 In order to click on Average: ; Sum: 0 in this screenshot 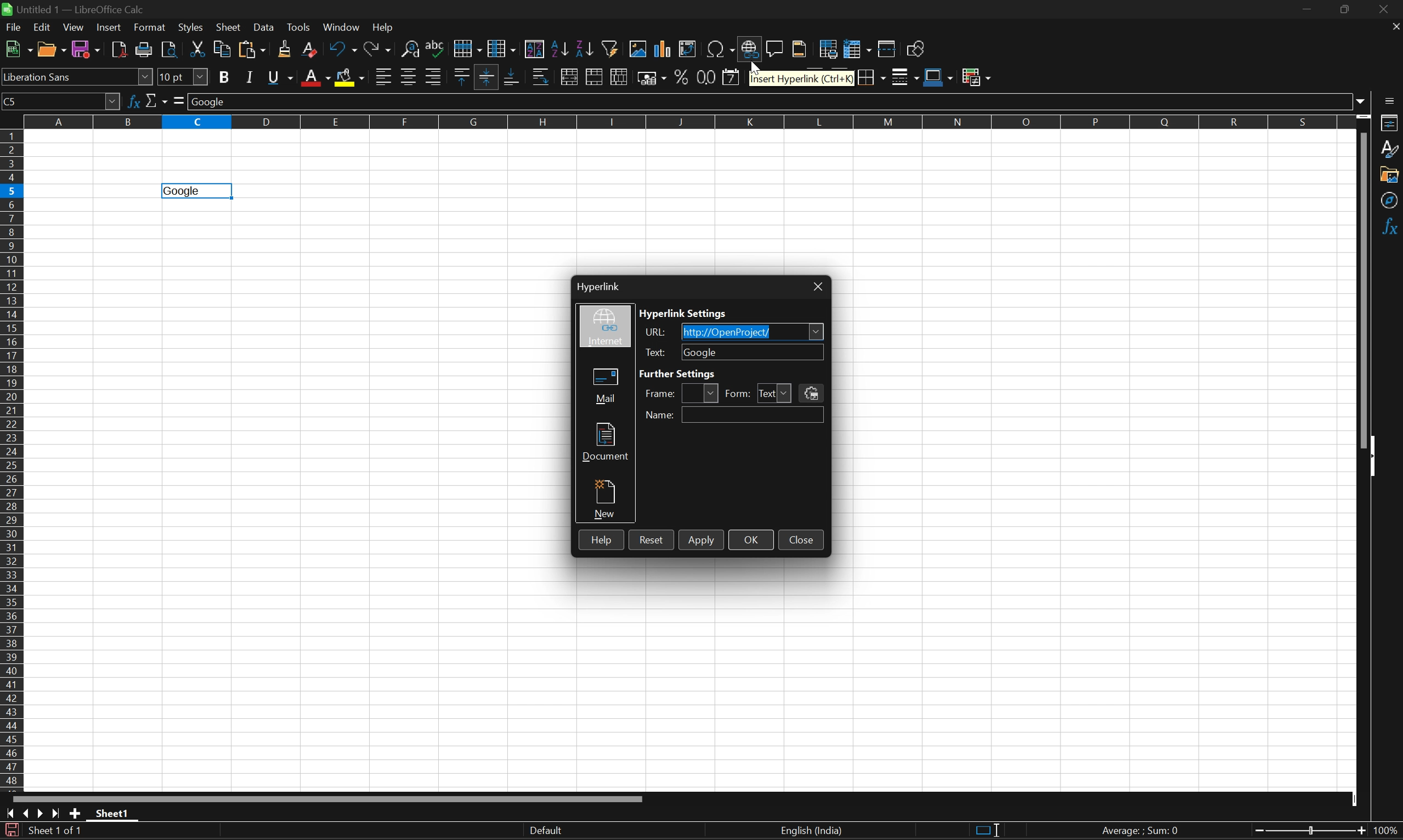, I will do `click(1143, 832)`.